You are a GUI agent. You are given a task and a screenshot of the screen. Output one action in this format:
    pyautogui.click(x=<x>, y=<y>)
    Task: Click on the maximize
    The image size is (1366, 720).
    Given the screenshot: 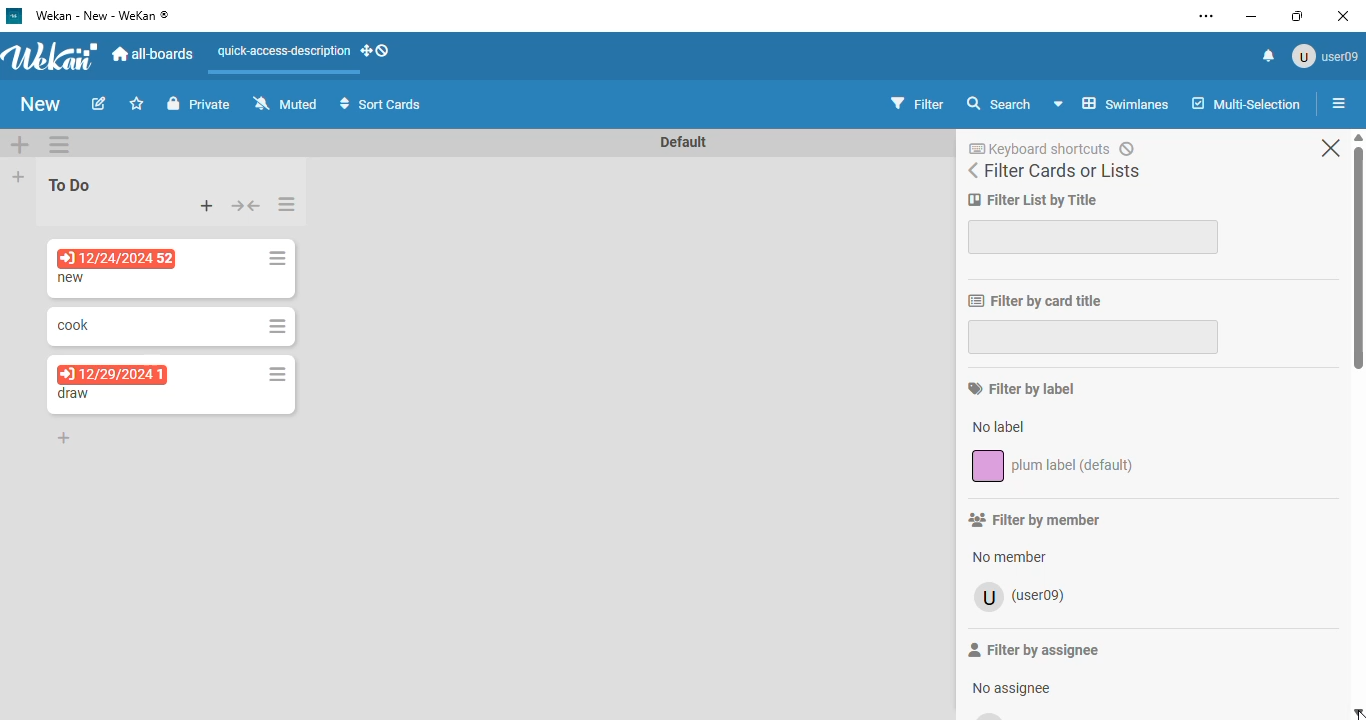 What is the action you would take?
    pyautogui.click(x=1297, y=16)
    